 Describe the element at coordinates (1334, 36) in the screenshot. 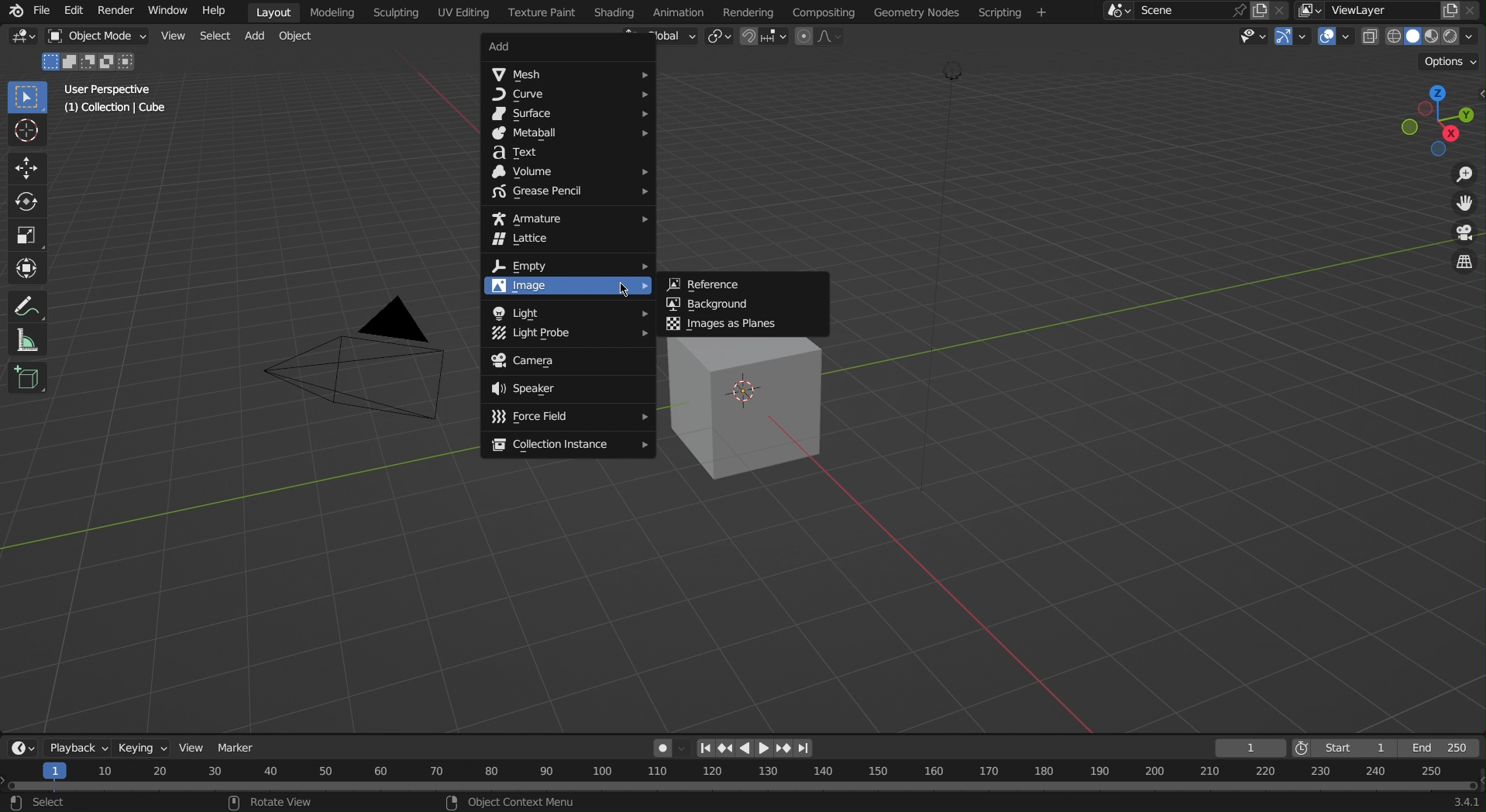

I see `Show Overlays` at that location.